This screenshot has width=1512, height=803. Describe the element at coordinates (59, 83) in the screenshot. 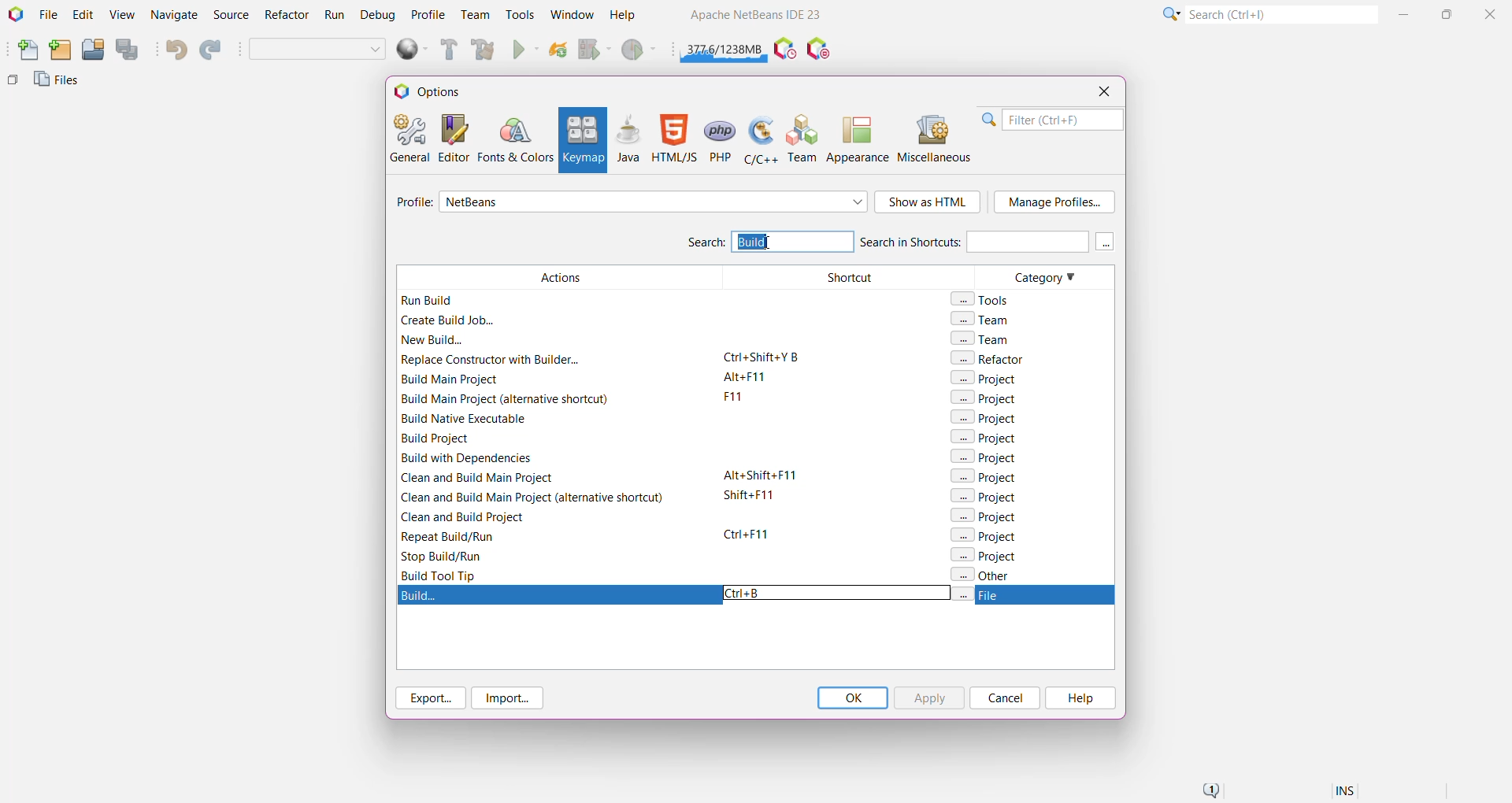

I see `Files` at that location.